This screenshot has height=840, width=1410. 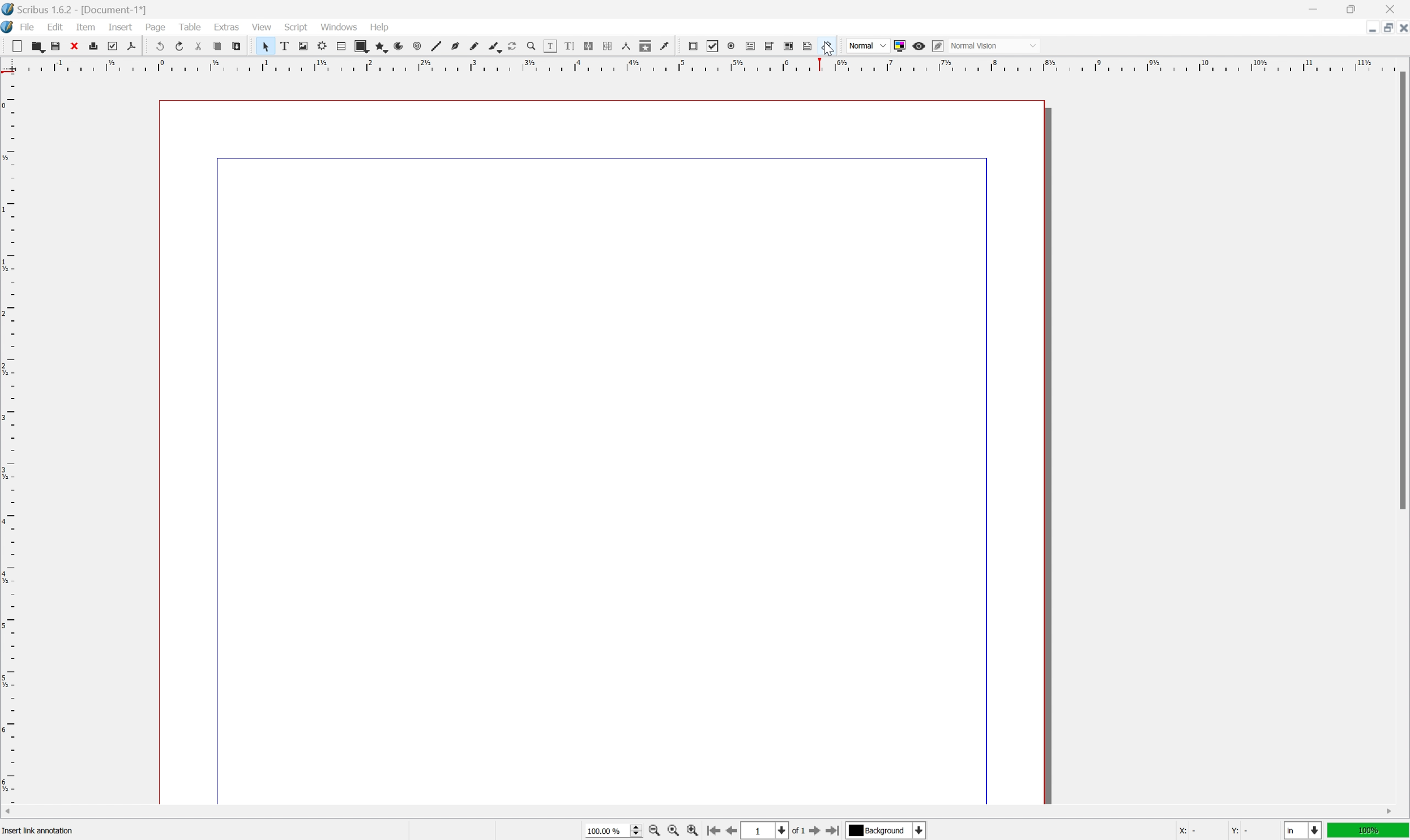 I want to click on pdf push button, so click(x=693, y=46).